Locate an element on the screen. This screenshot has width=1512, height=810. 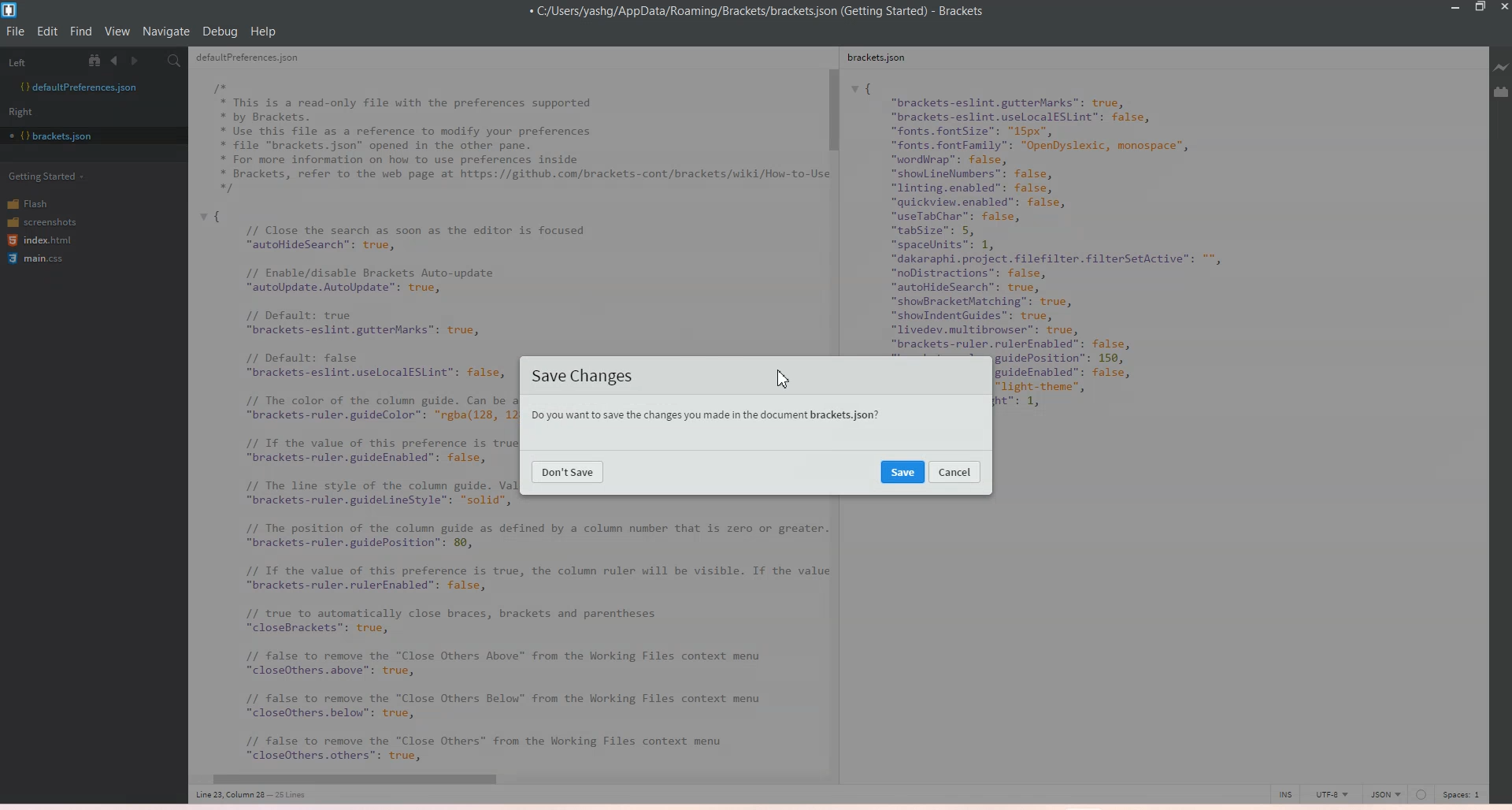
Vertical scroll bar is located at coordinates (832, 197).